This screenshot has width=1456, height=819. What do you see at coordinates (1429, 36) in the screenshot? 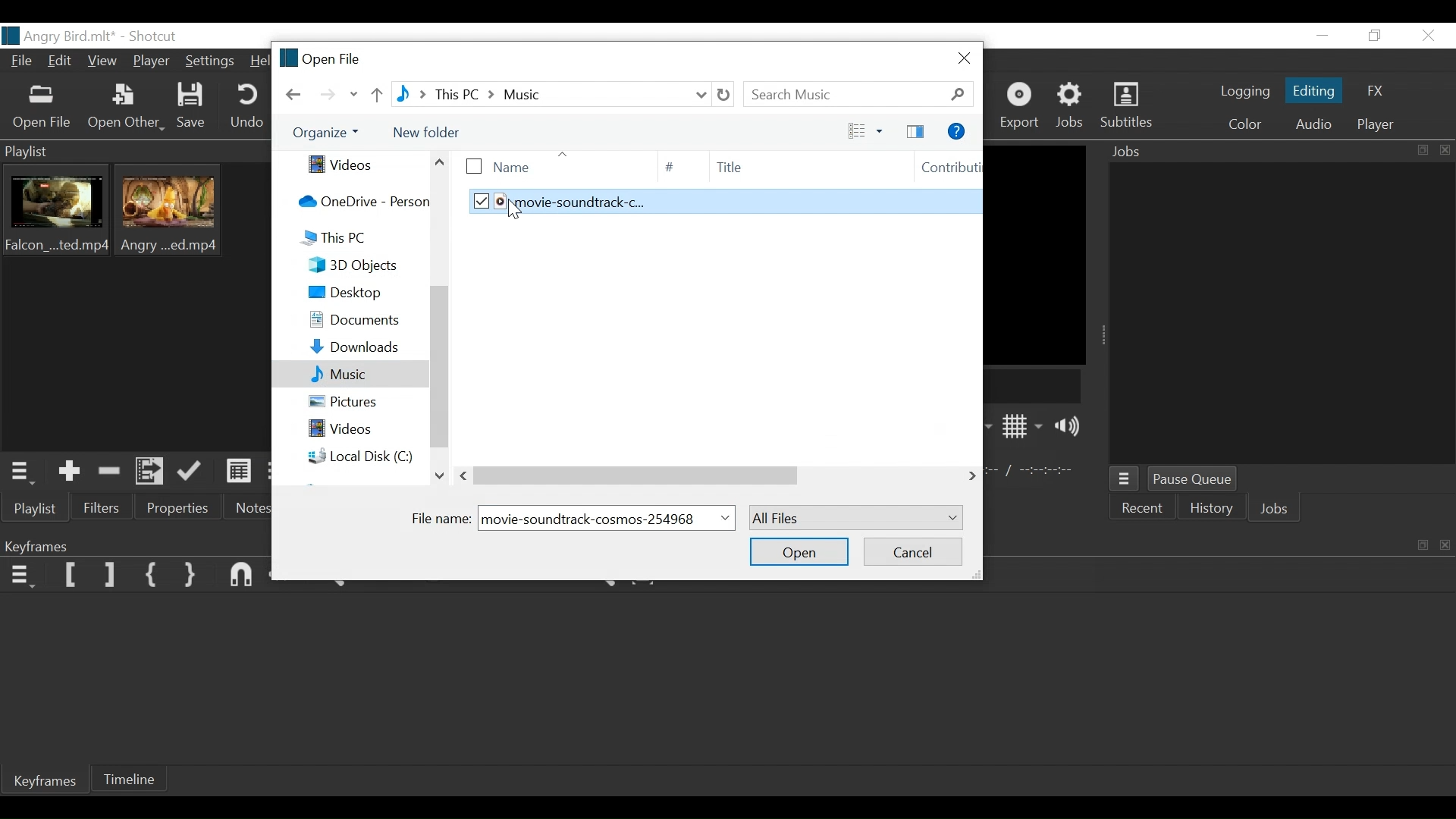
I see `Close` at bounding box center [1429, 36].